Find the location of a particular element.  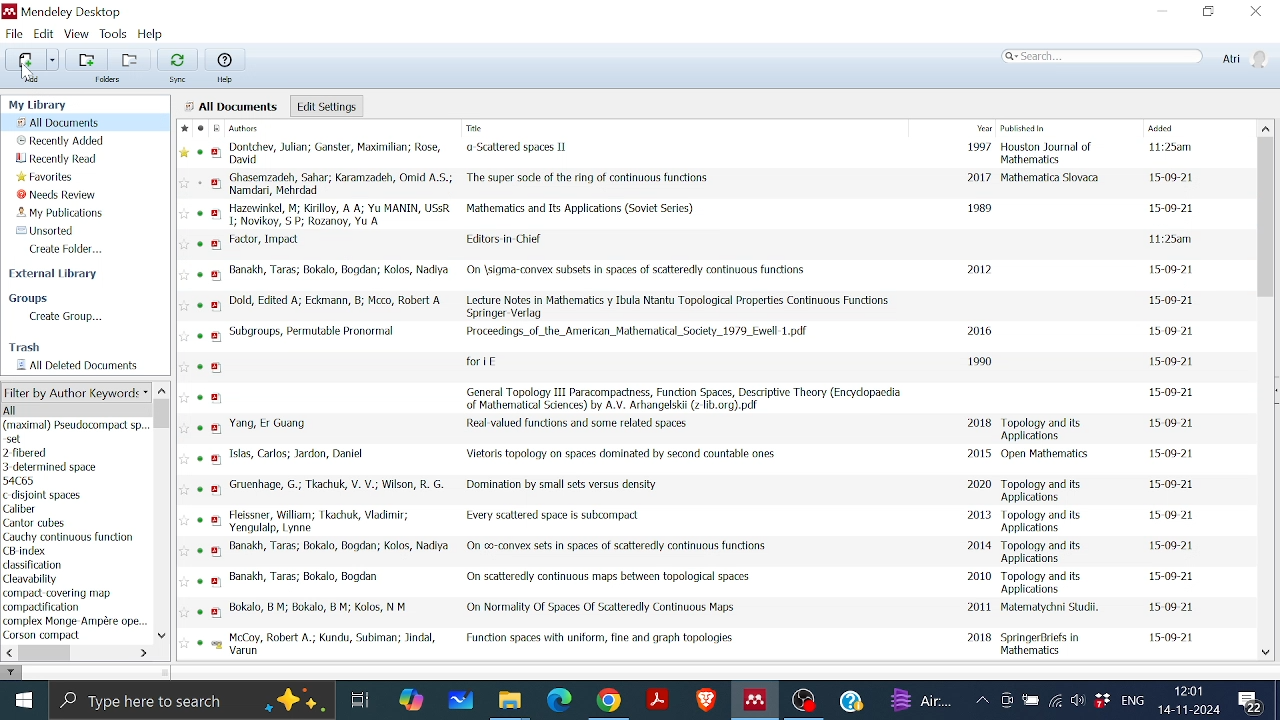

Profile is located at coordinates (1245, 60).